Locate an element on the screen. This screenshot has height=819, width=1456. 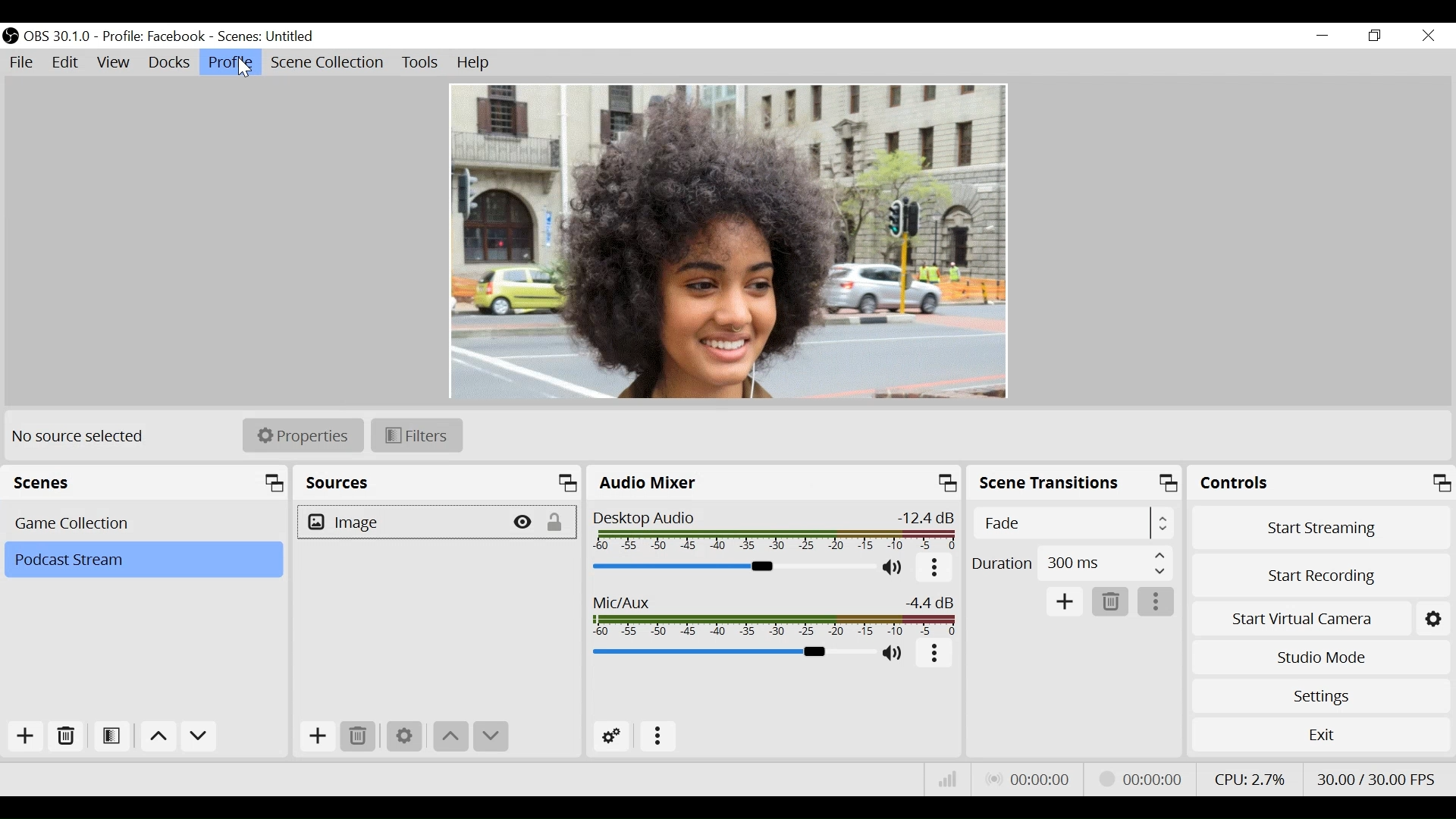
Tools is located at coordinates (421, 63).